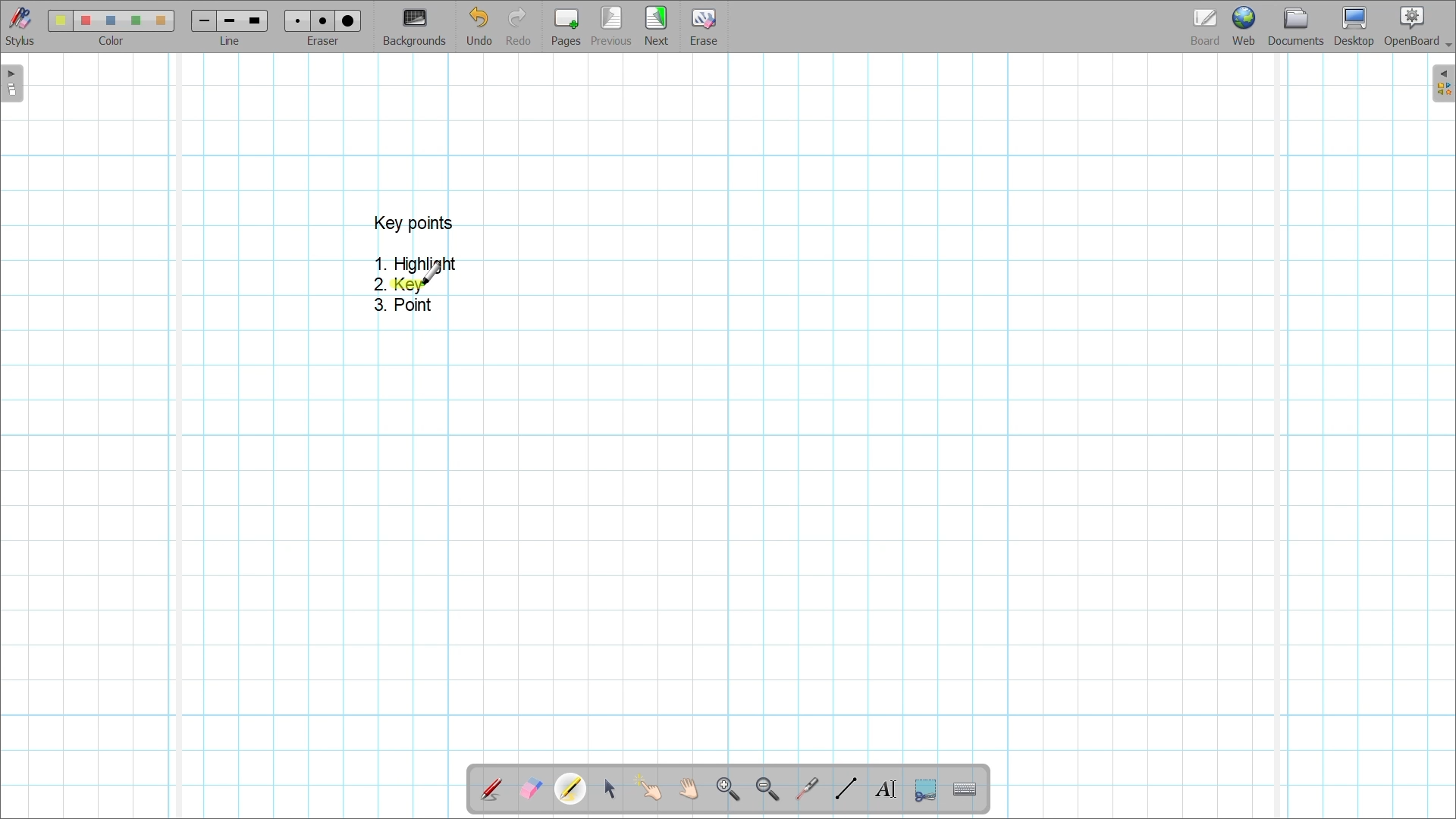 This screenshot has height=819, width=1456. What do you see at coordinates (1354, 27) in the screenshot?
I see `Desktop` at bounding box center [1354, 27].